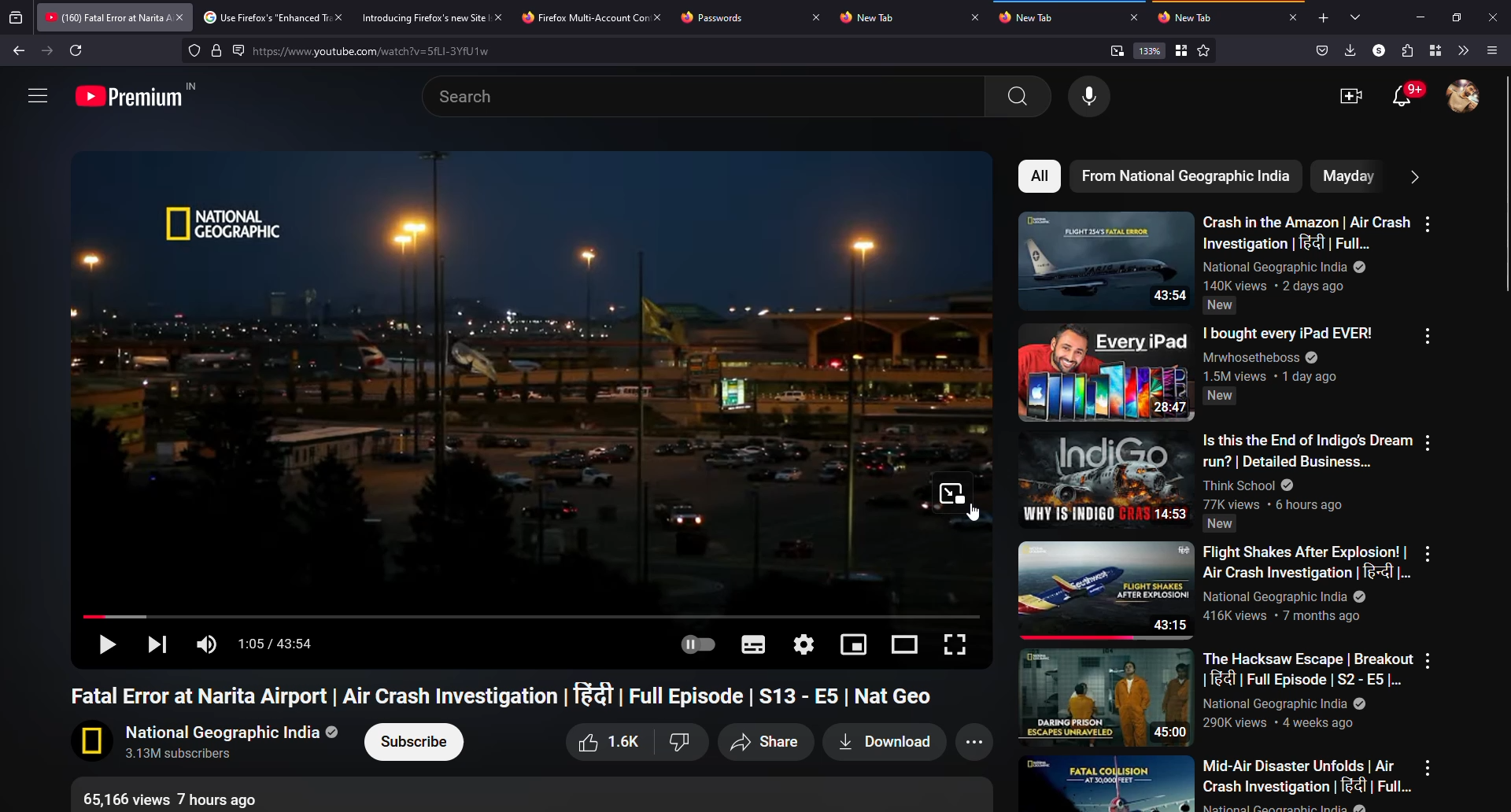 This screenshot has height=812, width=1511. I want to click on close, so click(337, 17).